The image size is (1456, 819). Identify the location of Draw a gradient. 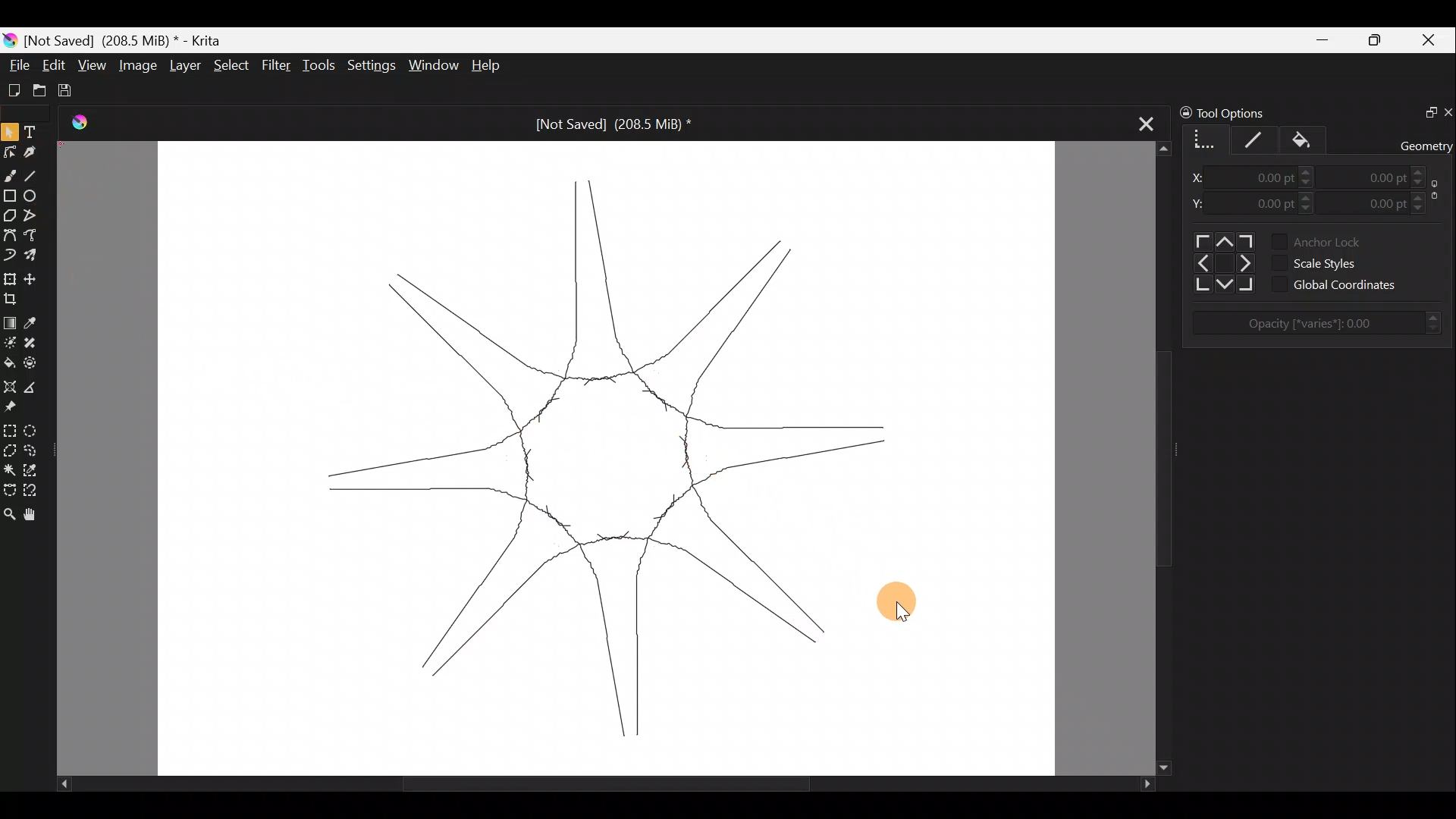
(10, 318).